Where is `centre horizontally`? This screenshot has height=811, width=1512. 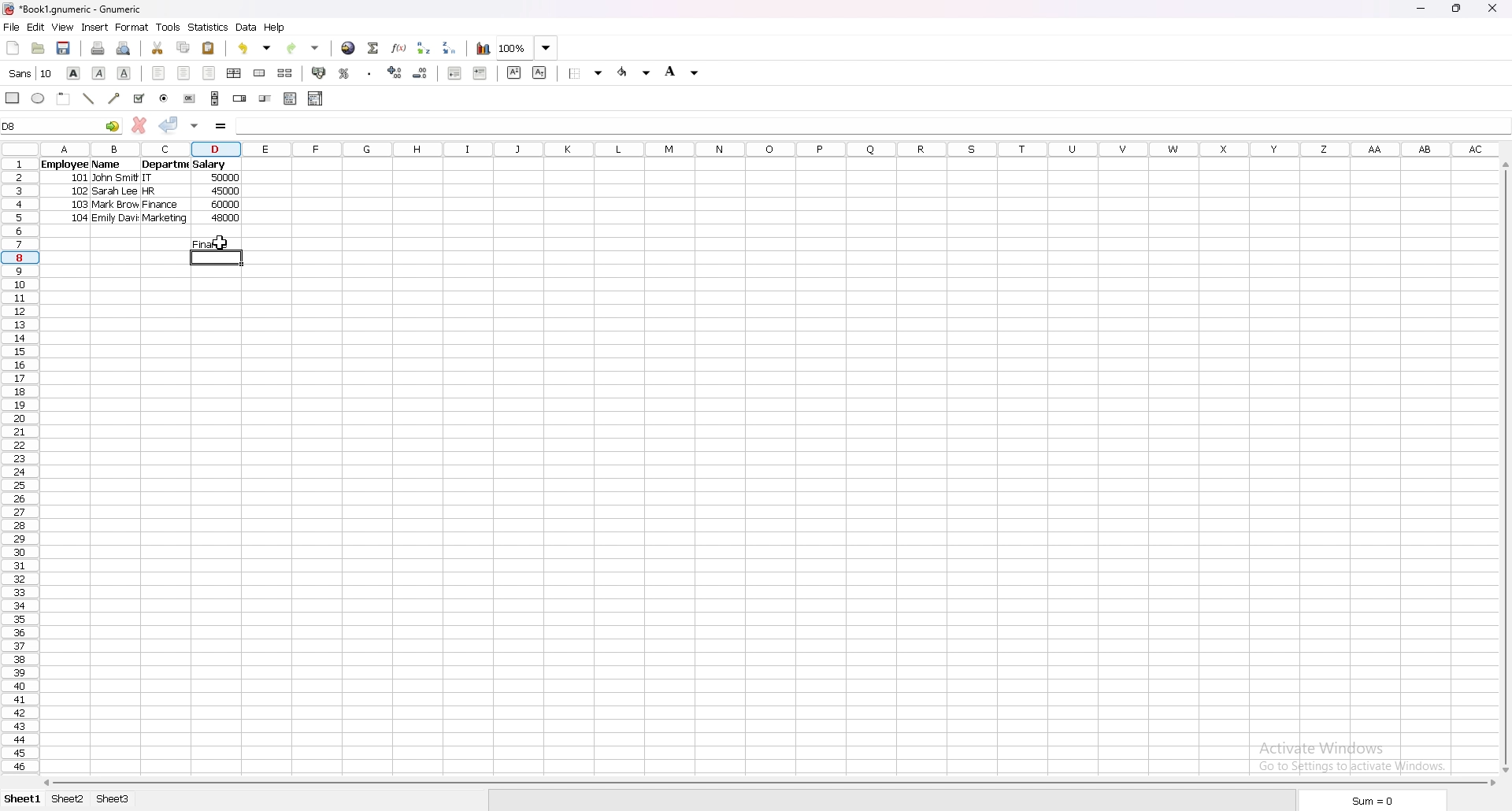
centre horizontally is located at coordinates (235, 73).